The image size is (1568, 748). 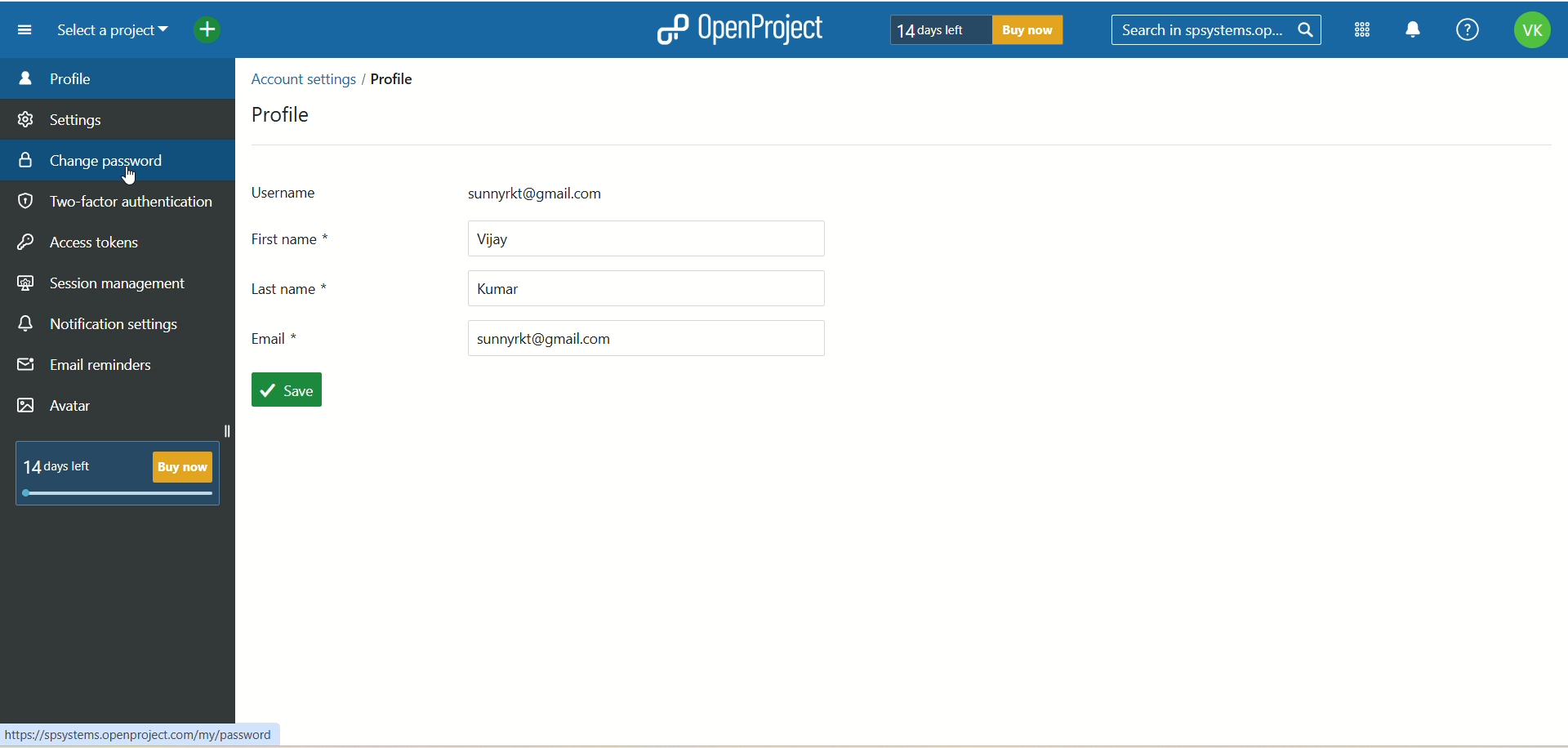 What do you see at coordinates (465, 194) in the screenshot?
I see `username` at bounding box center [465, 194].